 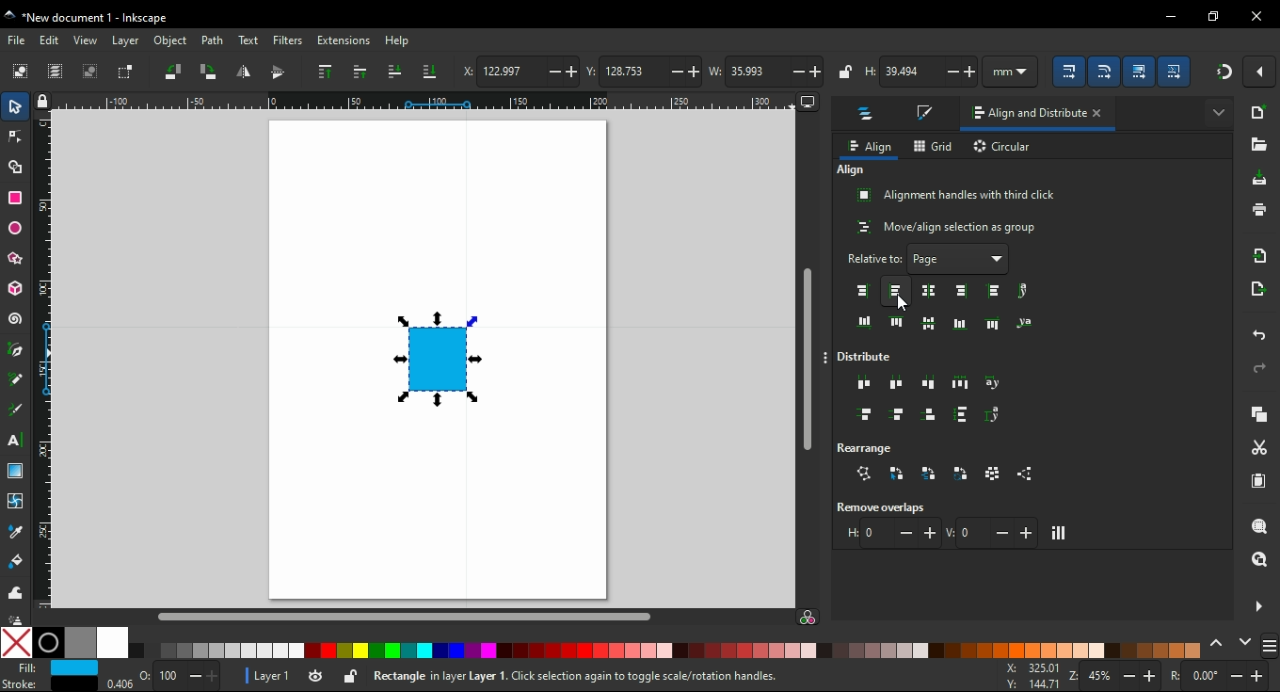 What do you see at coordinates (17, 499) in the screenshot?
I see `mesh tool` at bounding box center [17, 499].